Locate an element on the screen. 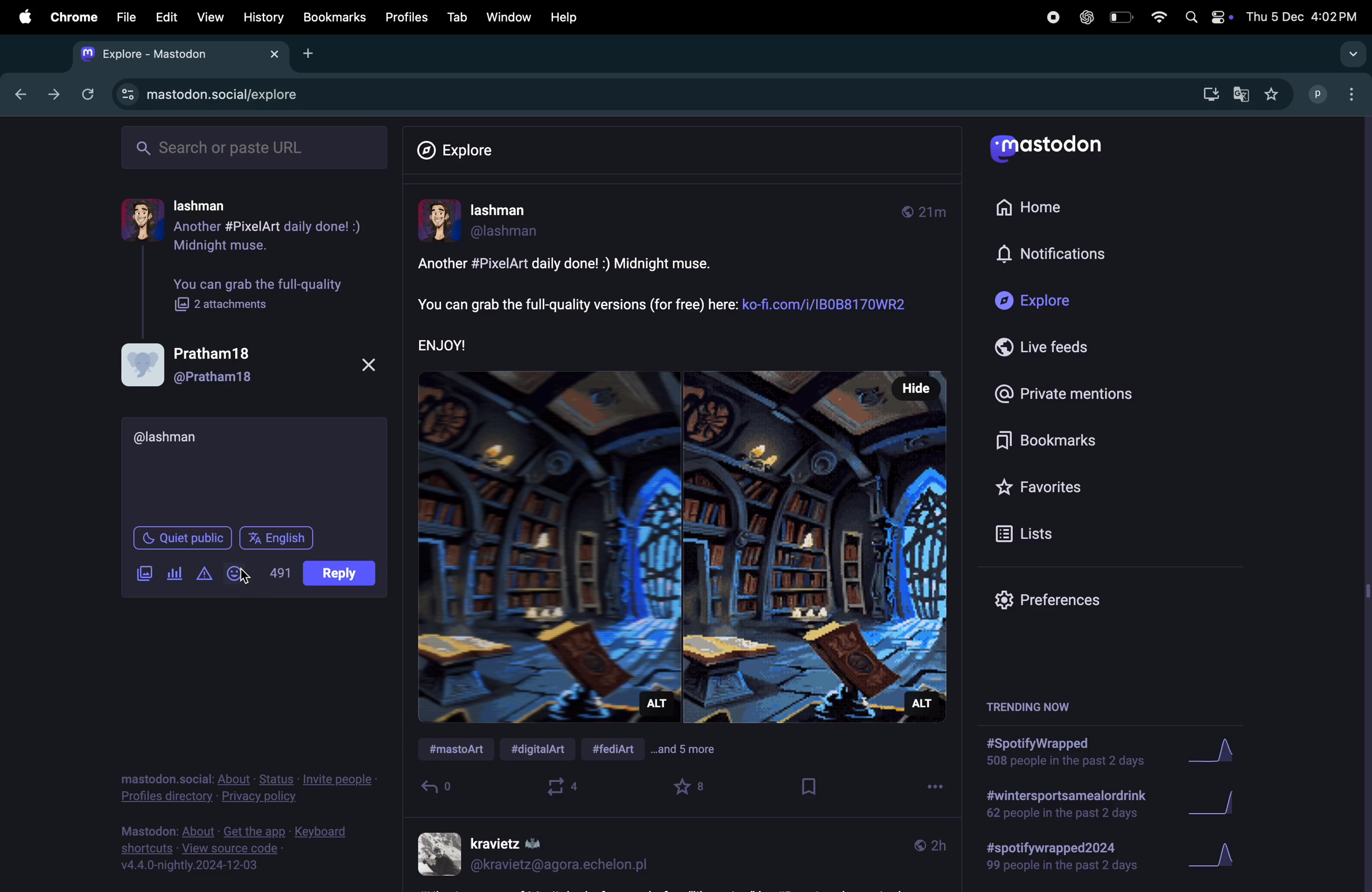 The width and height of the screenshot is (1372, 892). book mark is located at coordinates (806, 788).